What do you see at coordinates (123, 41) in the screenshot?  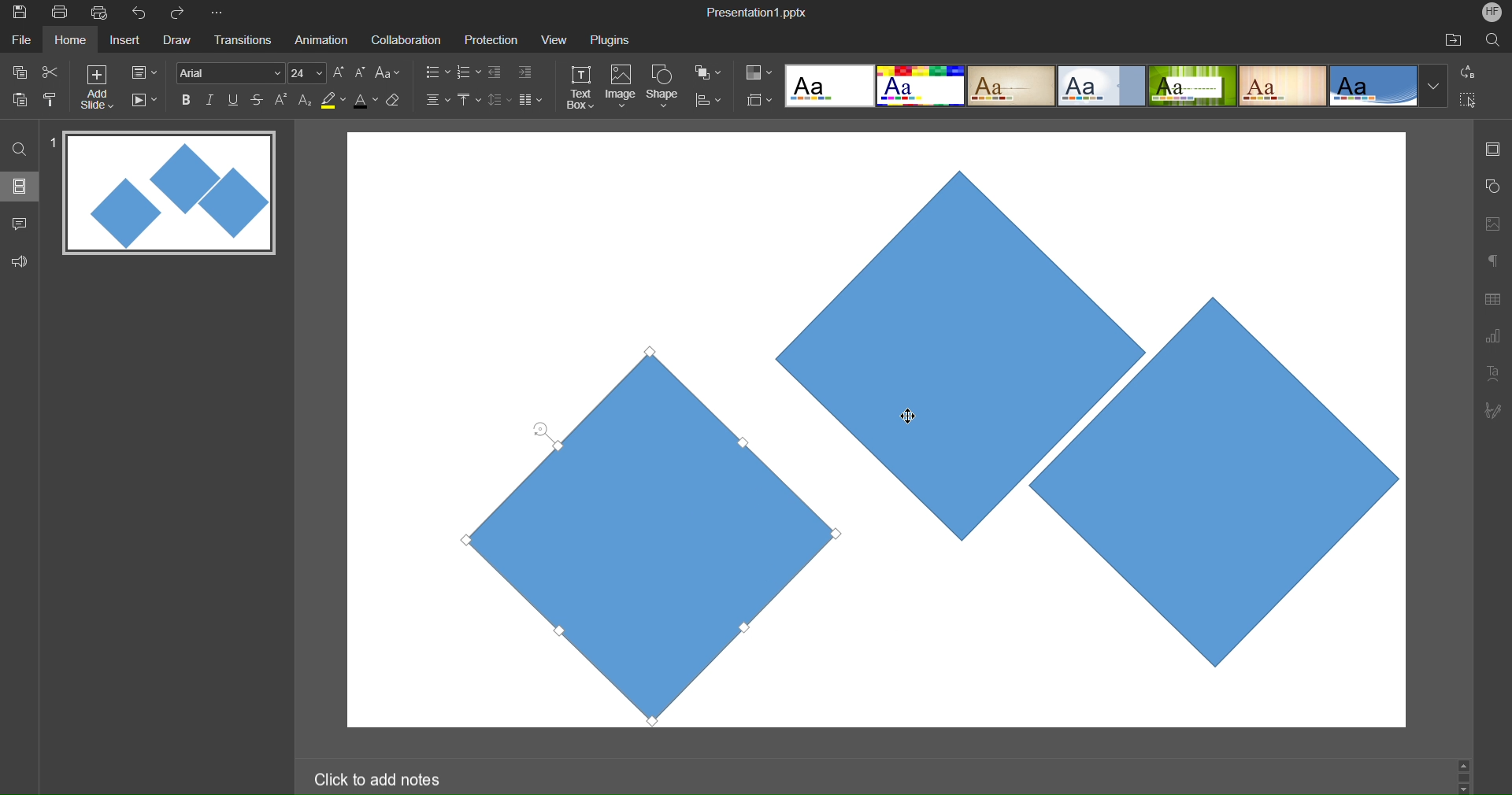 I see `Insert` at bounding box center [123, 41].